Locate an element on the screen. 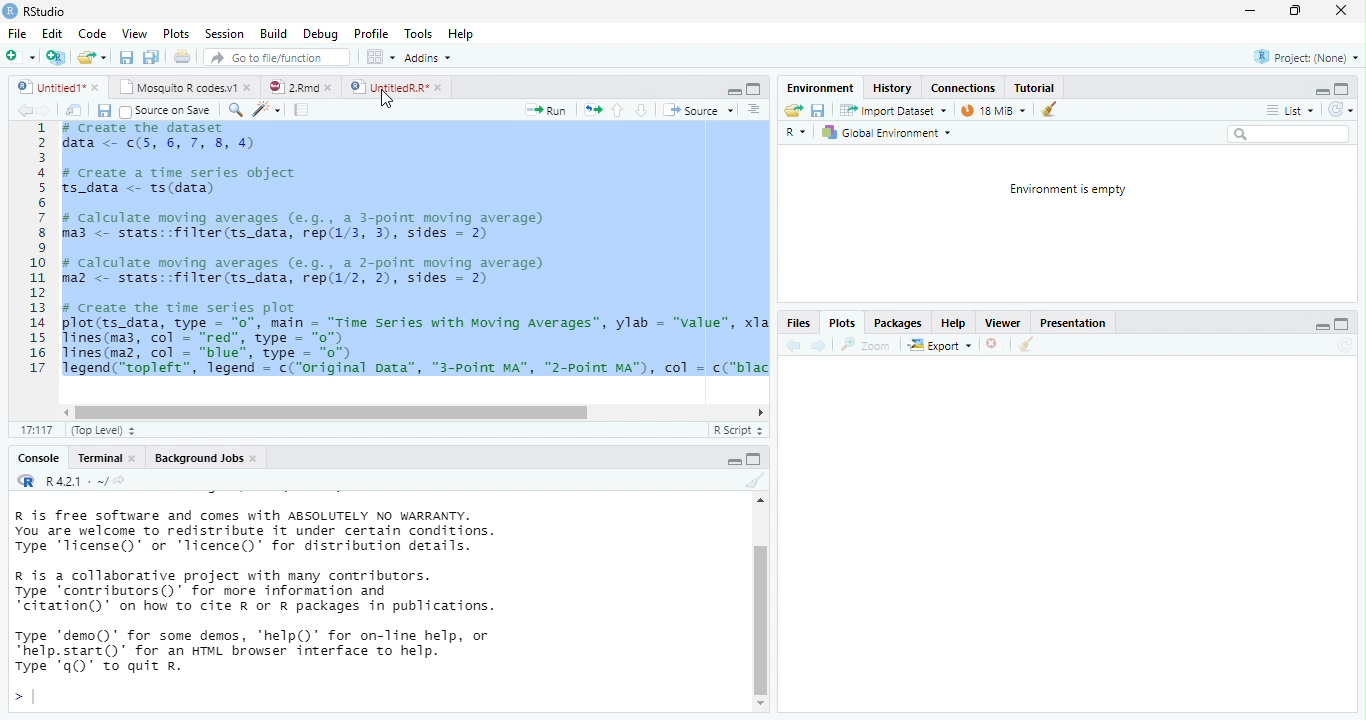  export is located at coordinates (939, 346).